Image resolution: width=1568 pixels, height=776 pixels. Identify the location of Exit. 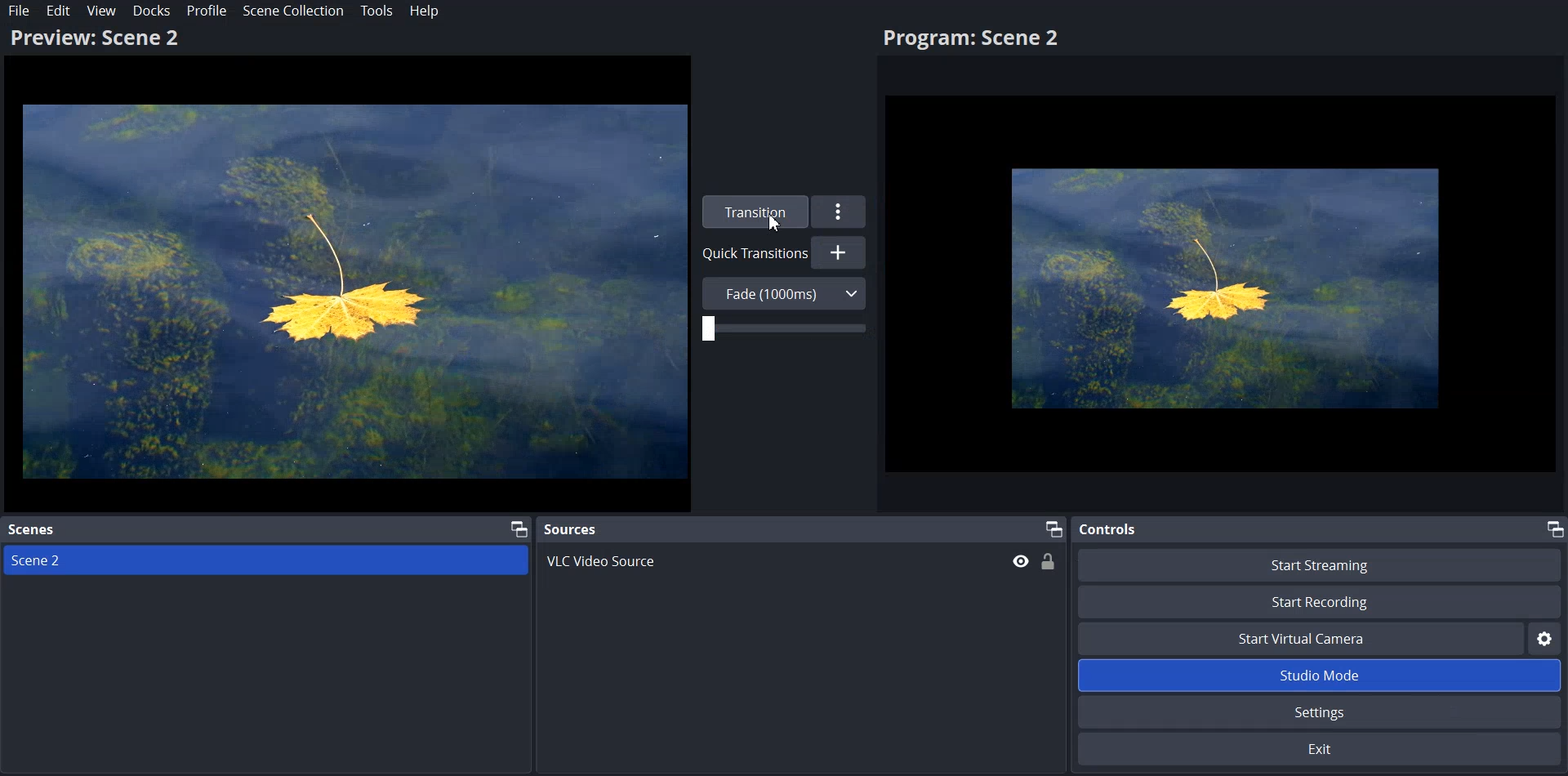
(1322, 750).